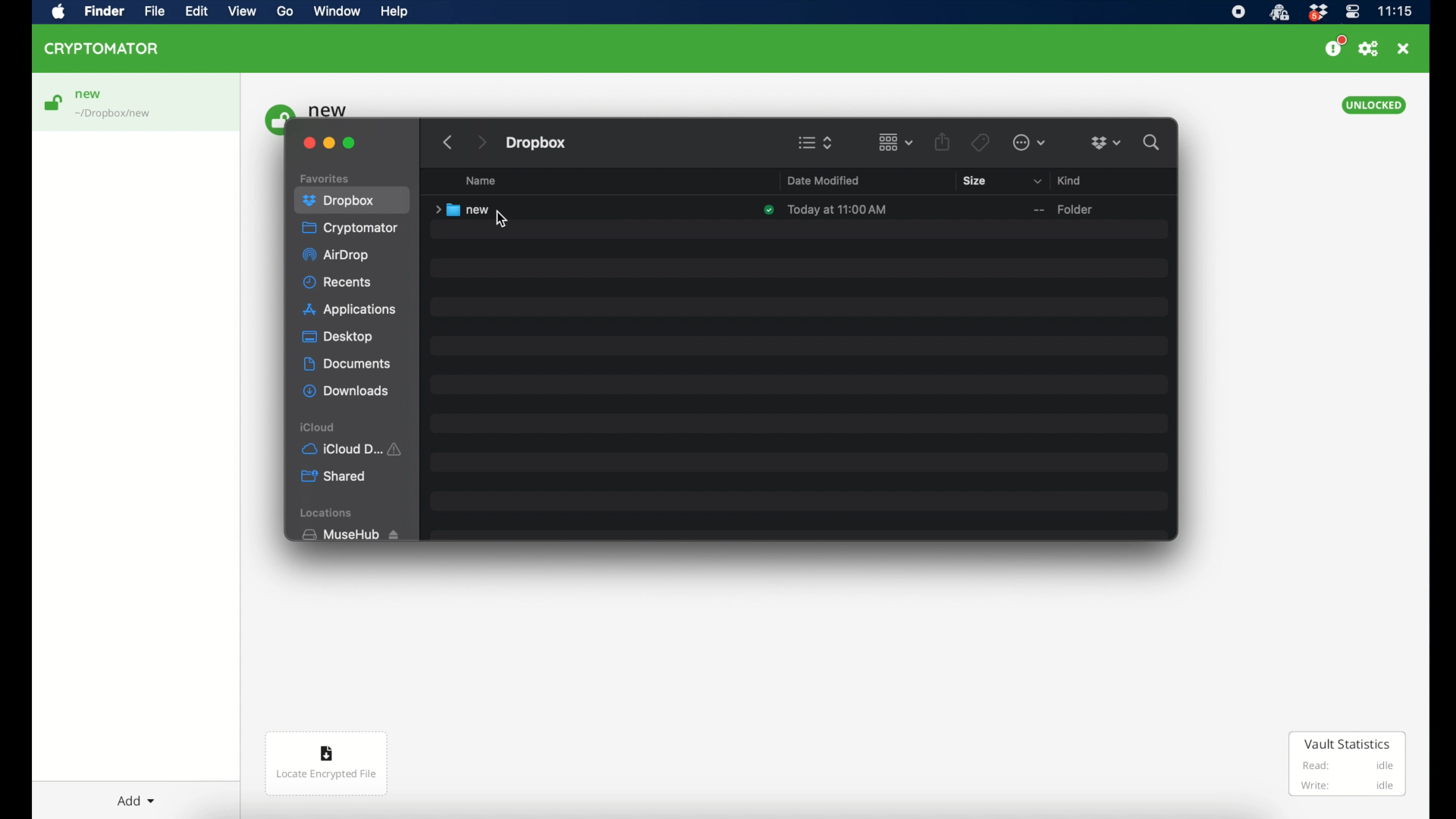  Describe the element at coordinates (154, 11) in the screenshot. I see `file` at that location.